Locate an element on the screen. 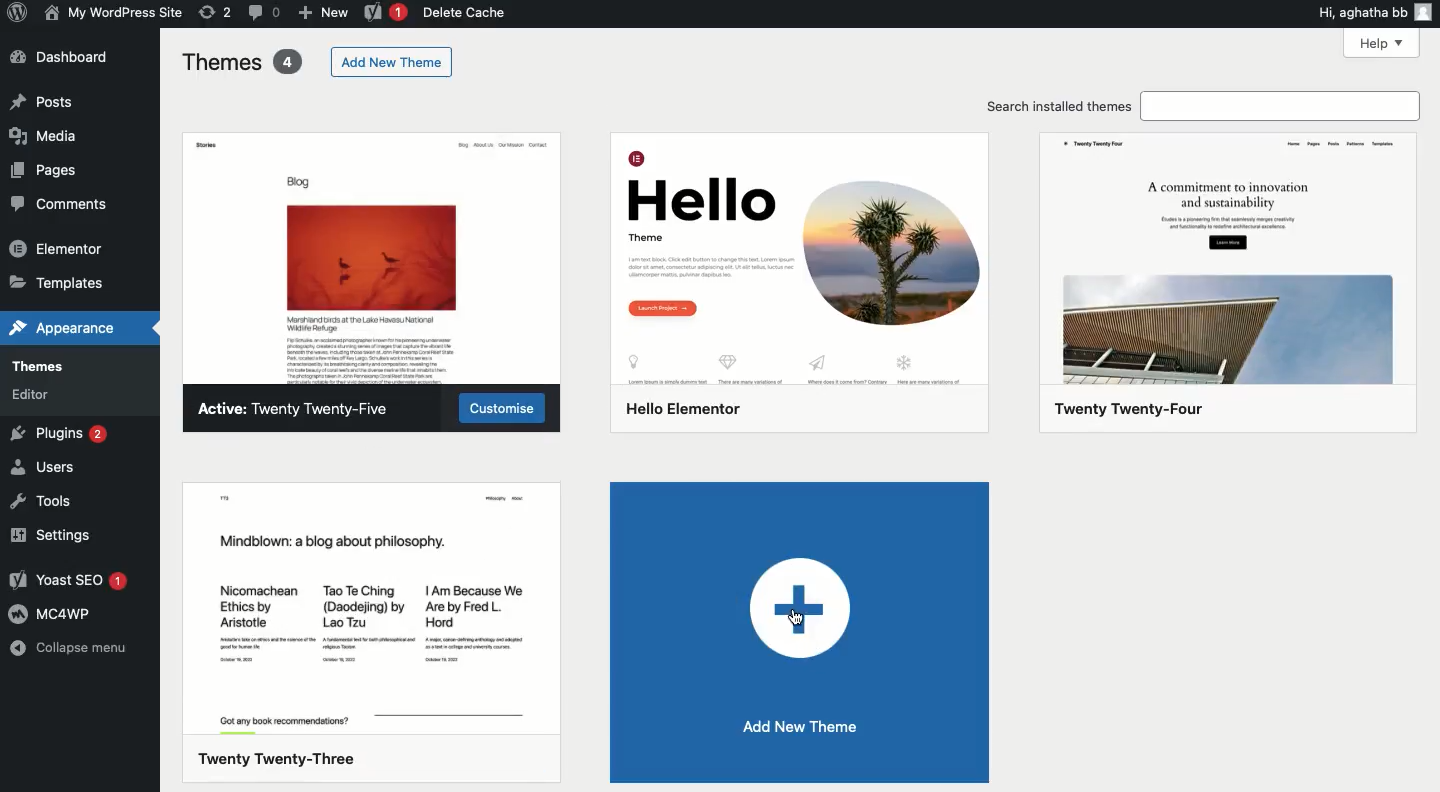 Image resolution: width=1440 pixels, height=792 pixels. New is located at coordinates (323, 14).